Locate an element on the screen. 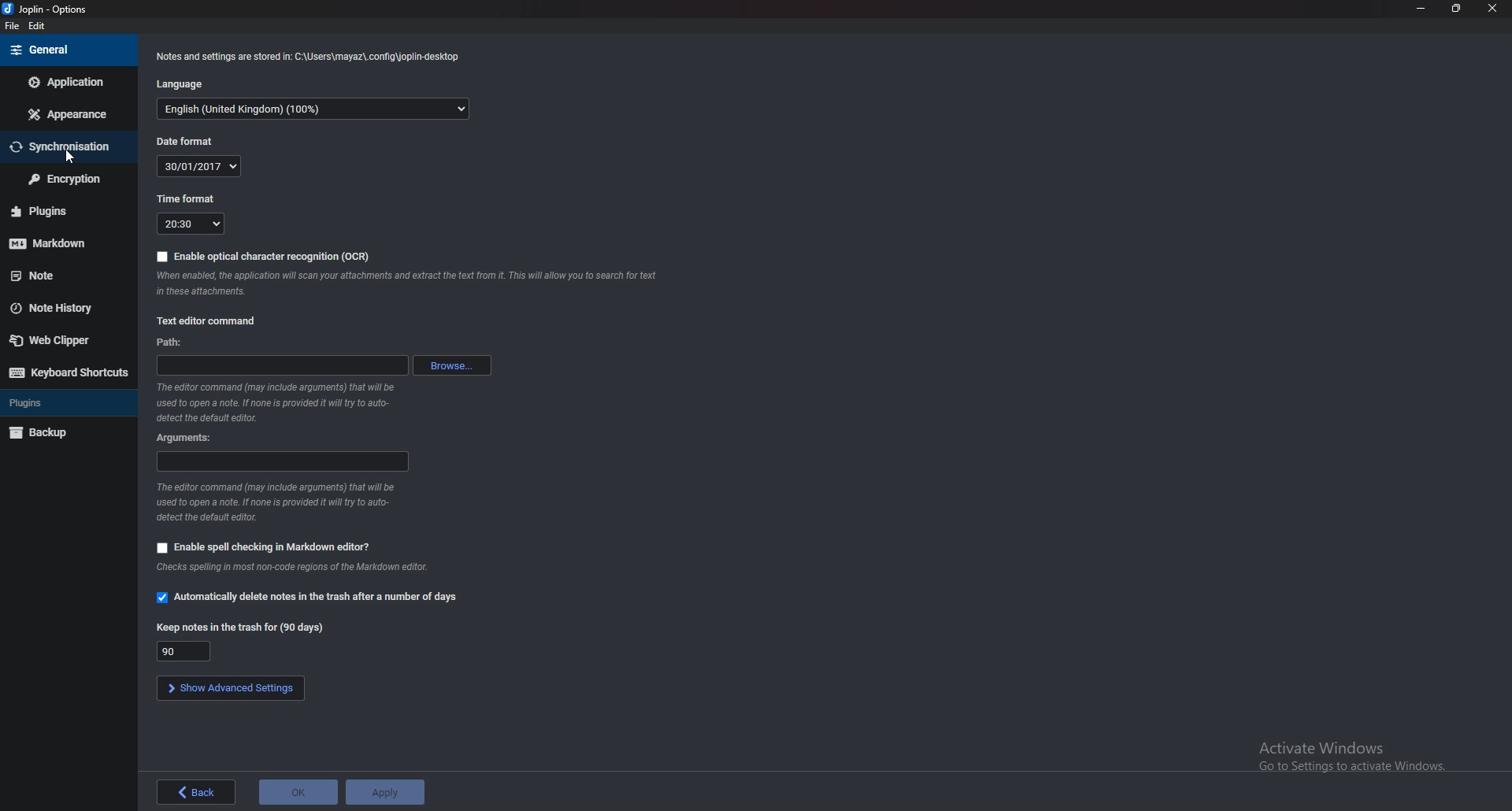 The height and width of the screenshot is (811, 1512). show advanced is located at coordinates (229, 687).